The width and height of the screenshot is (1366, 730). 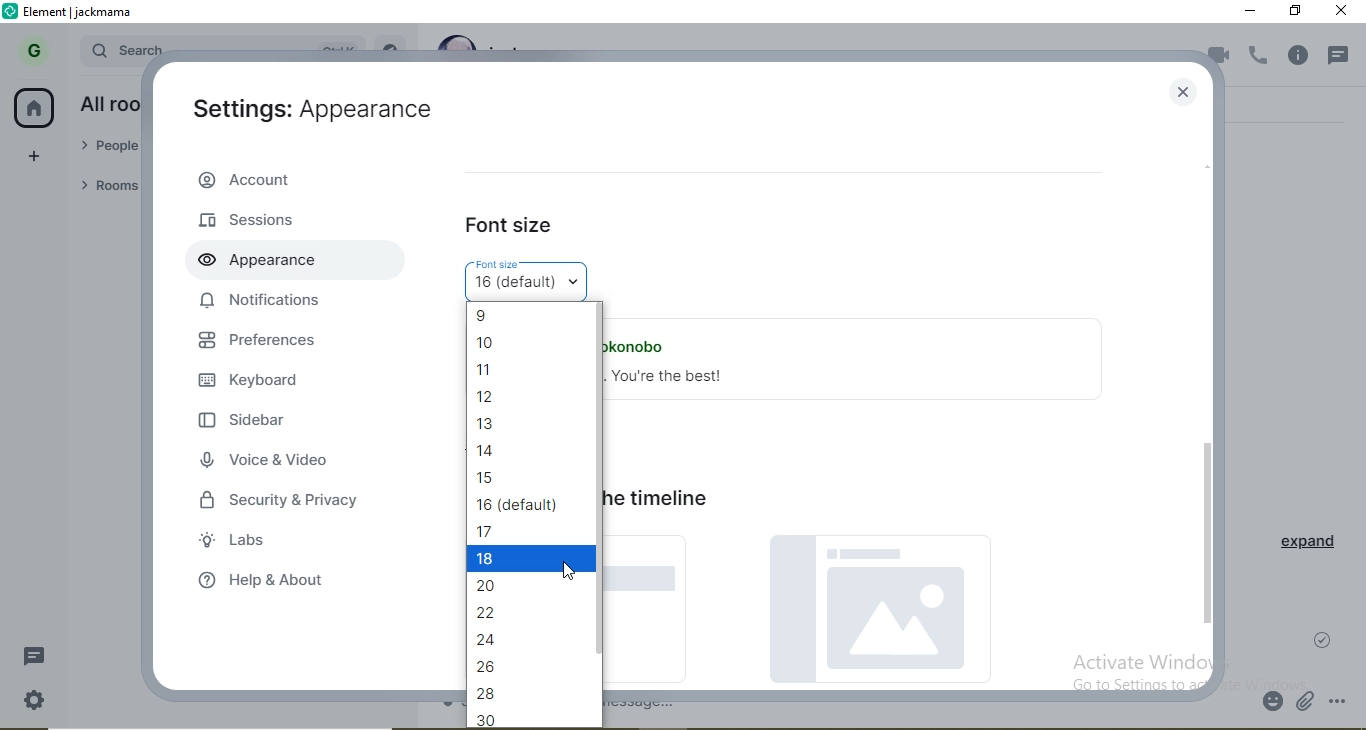 What do you see at coordinates (1184, 93) in the screenshot?
I see `close` at bounding box center [1184, 93].